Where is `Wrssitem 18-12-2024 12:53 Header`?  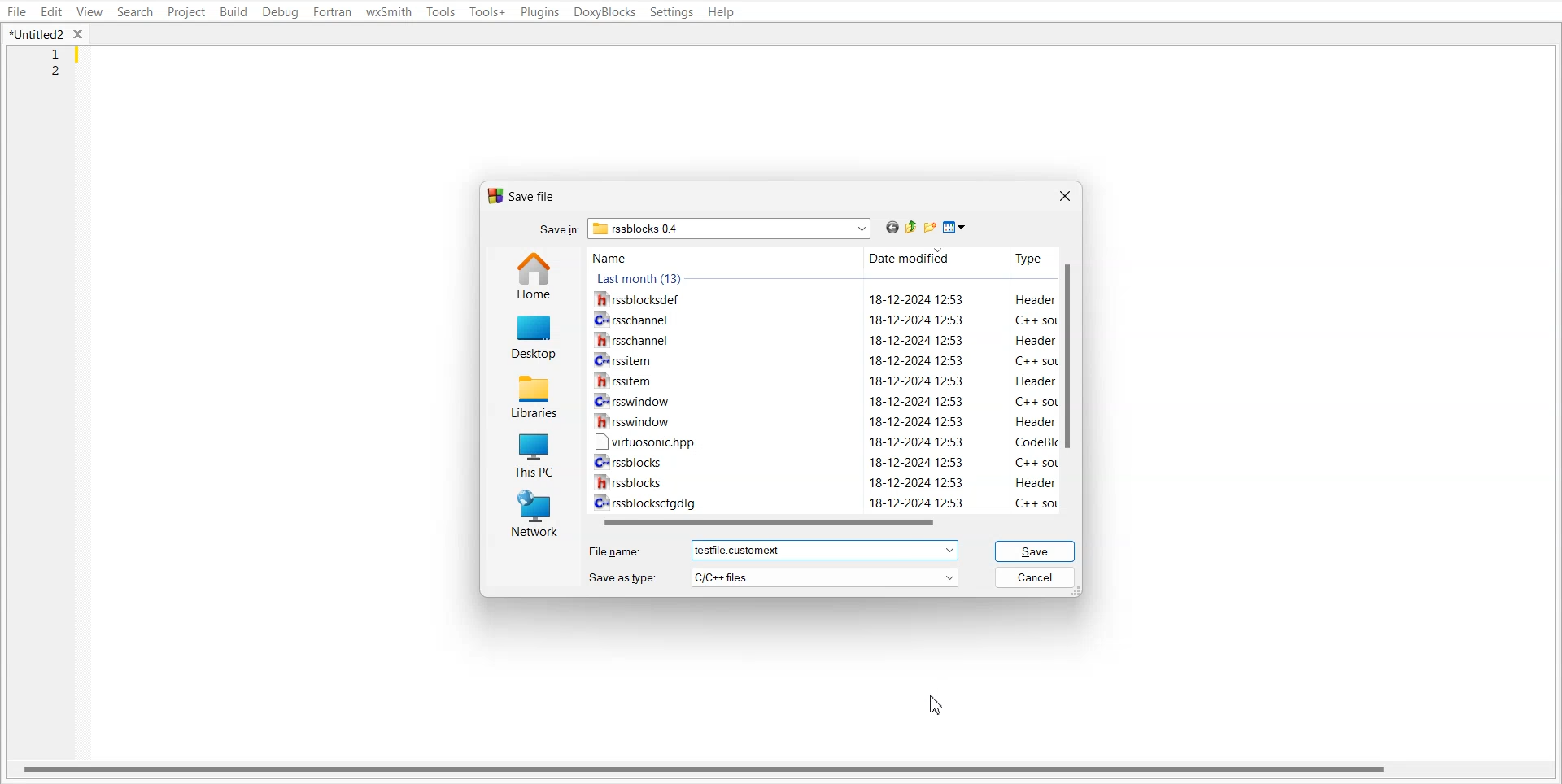
Wrssitem 18-12-2024 12:53 Header is located at coordinates (826, 379).